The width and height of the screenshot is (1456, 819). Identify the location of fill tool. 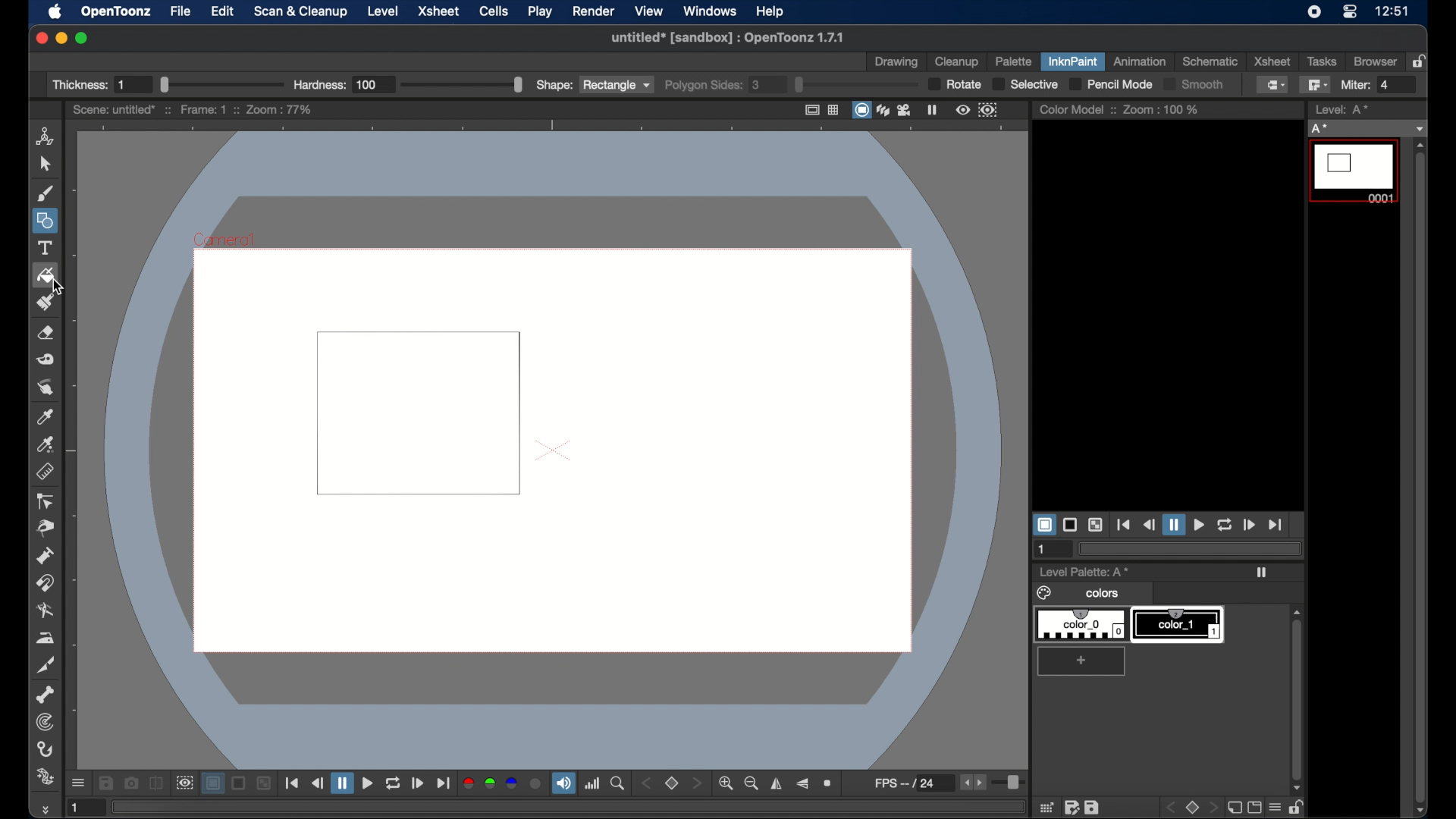
(45, 276).